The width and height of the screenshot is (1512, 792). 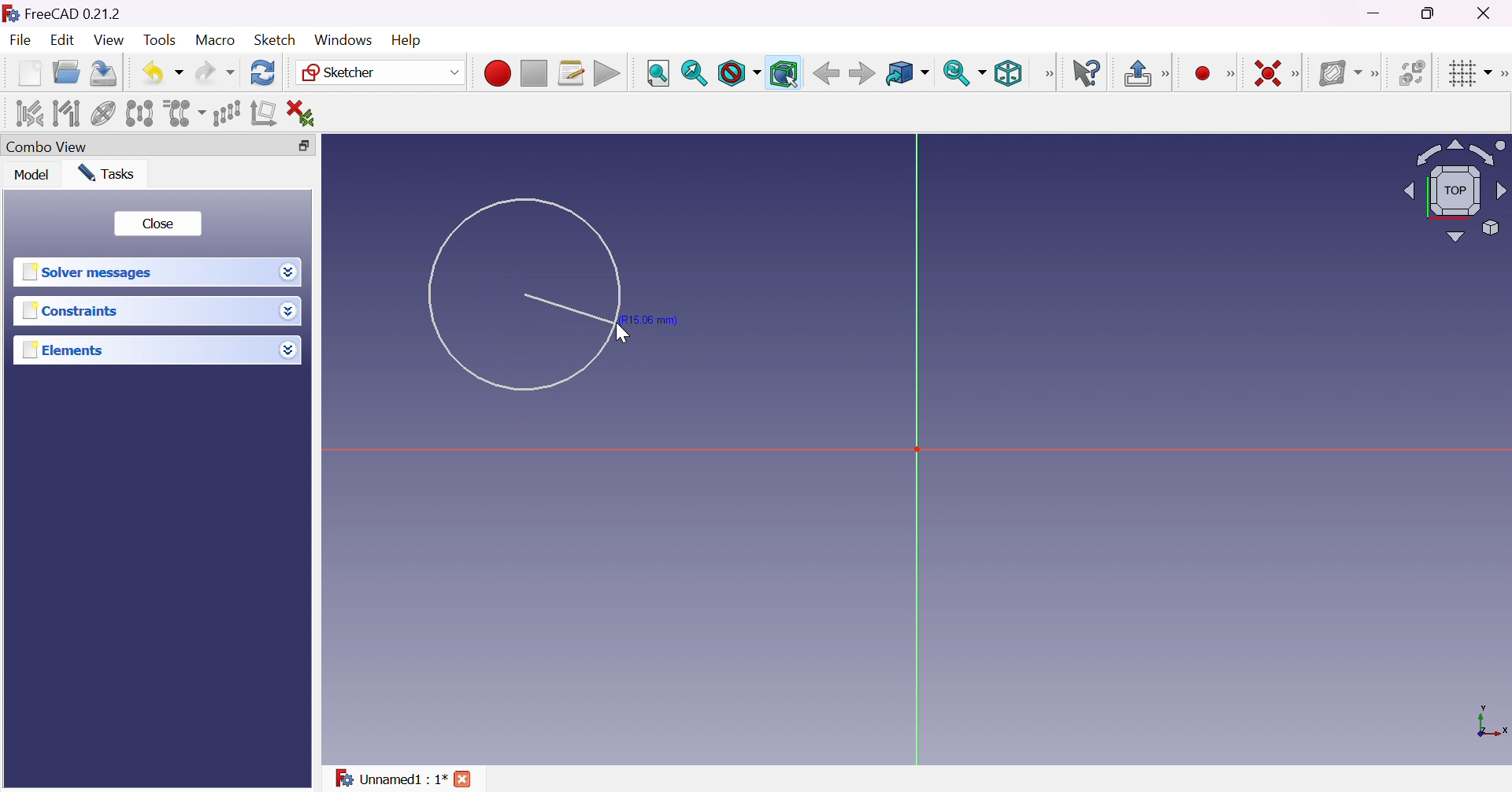 I want to click on Cursor, so click(x=627, y=335).